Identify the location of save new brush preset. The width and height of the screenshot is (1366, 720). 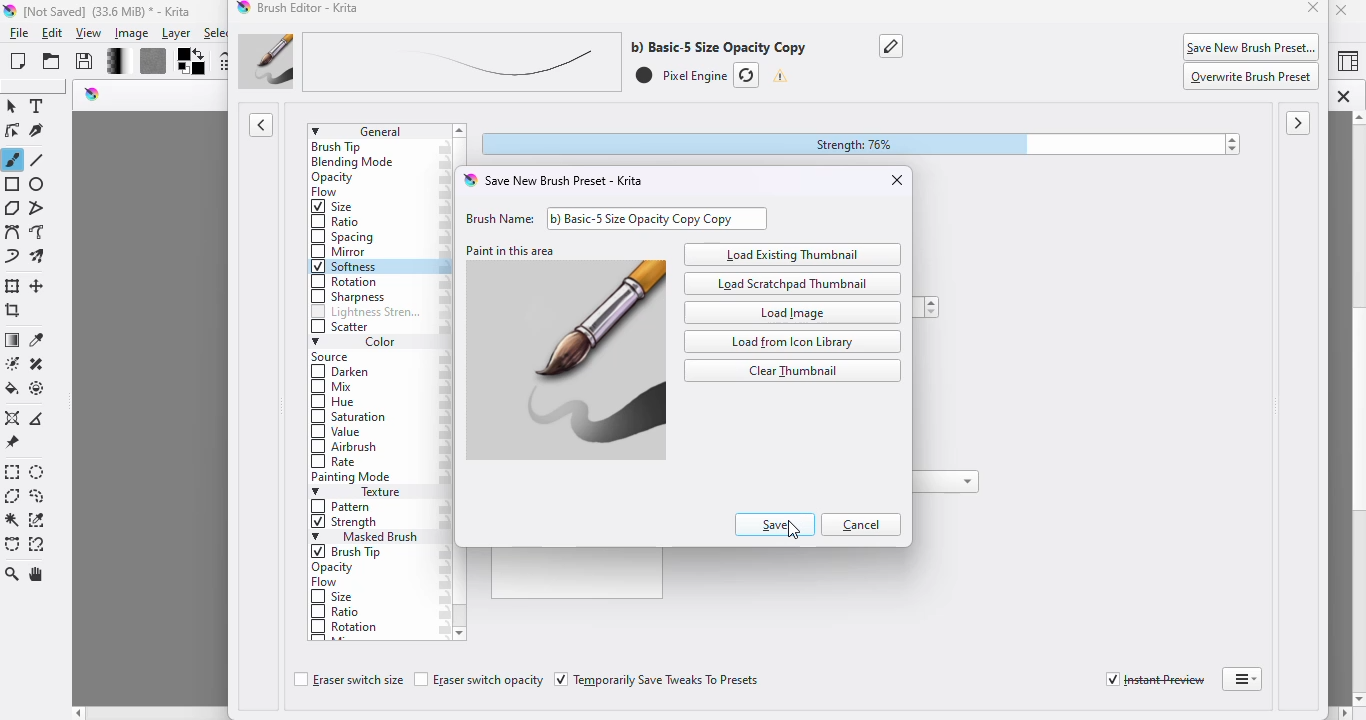
(1253, 46).